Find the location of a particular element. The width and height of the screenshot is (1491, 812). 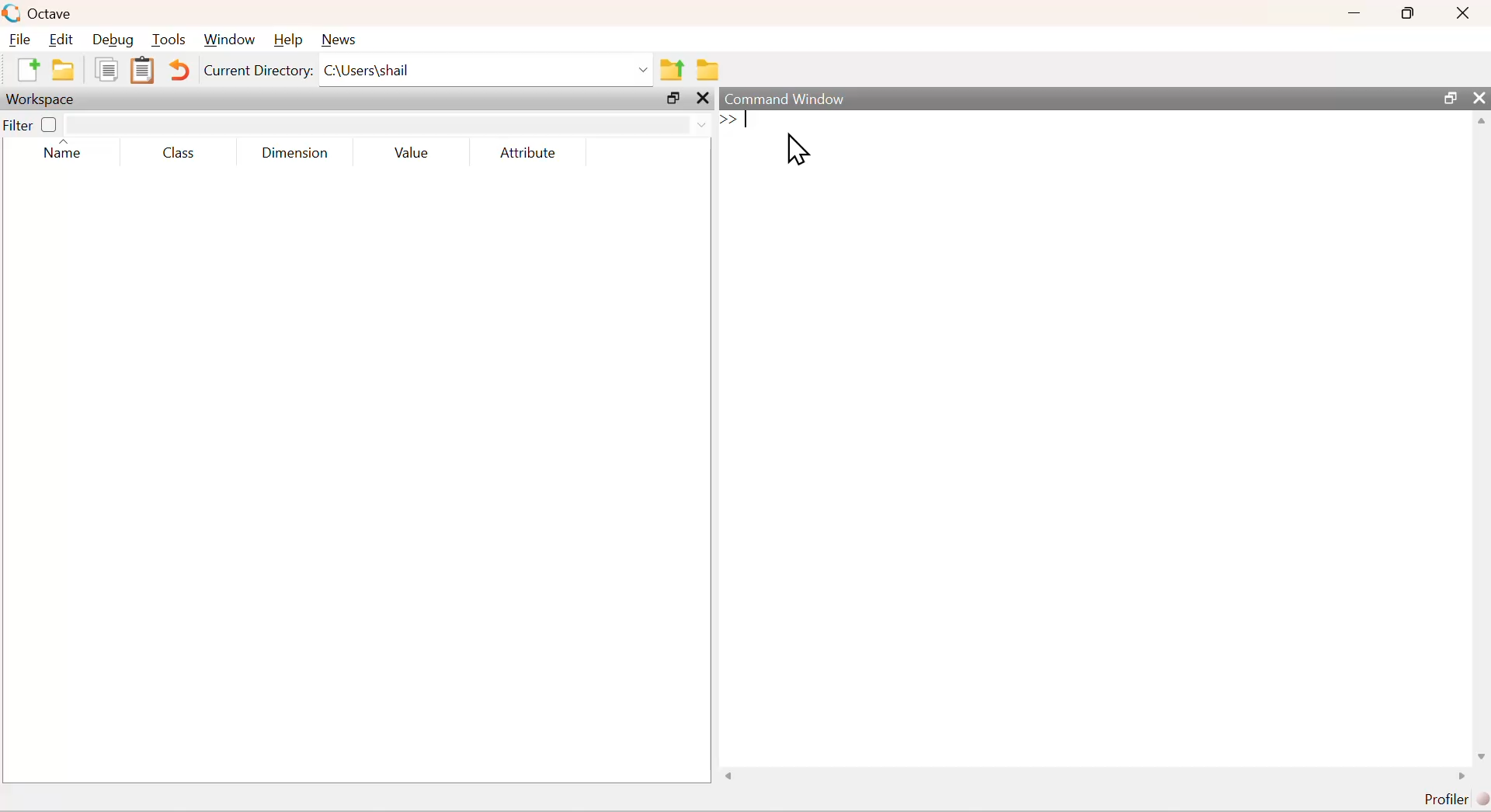

New line is located at coordinates (726, 120).